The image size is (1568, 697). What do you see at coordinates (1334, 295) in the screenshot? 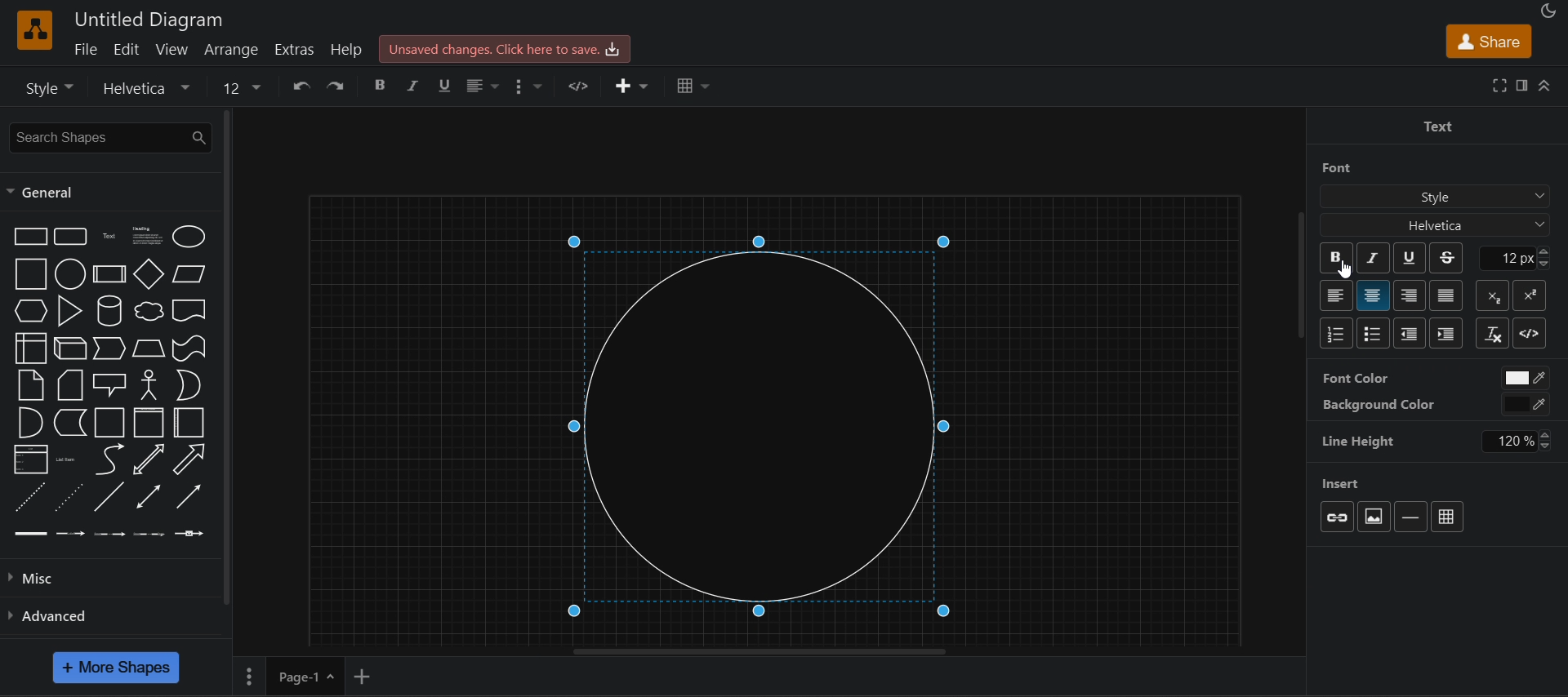
I see `left align` at bounding box center [1334, 295].